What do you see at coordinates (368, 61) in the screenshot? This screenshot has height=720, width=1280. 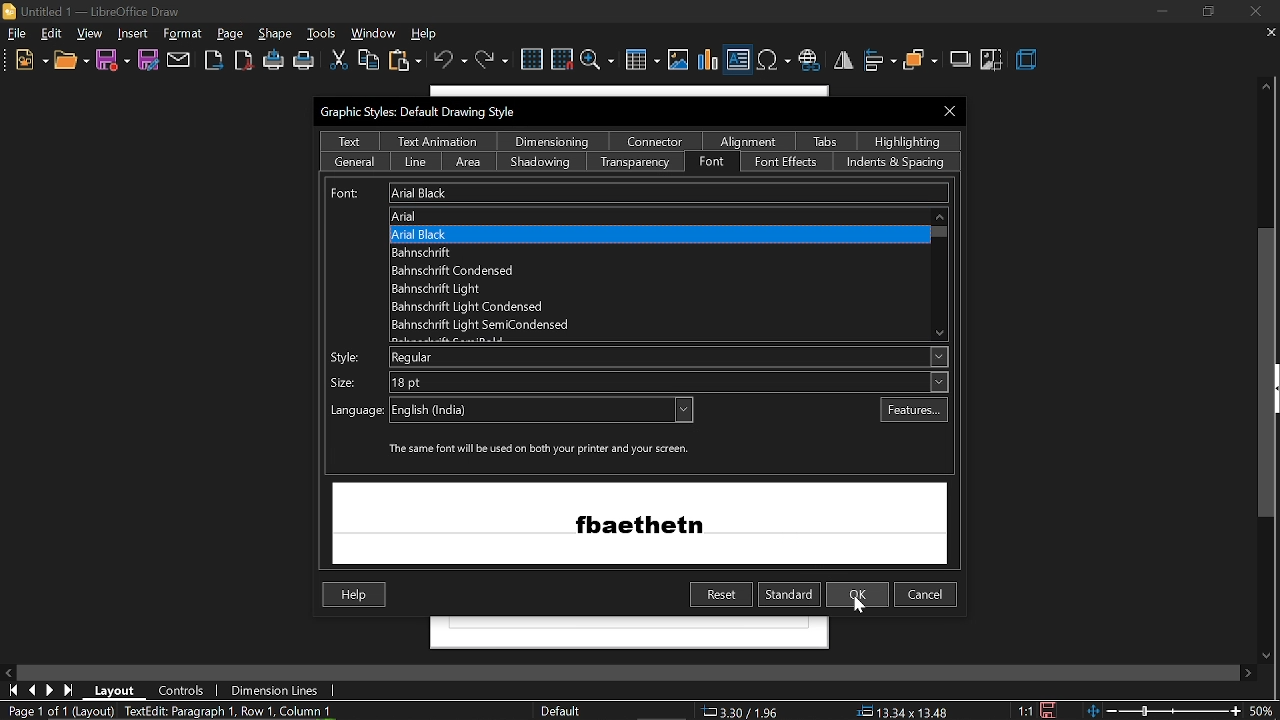 I see `copy` at bounding box center [368, 61].